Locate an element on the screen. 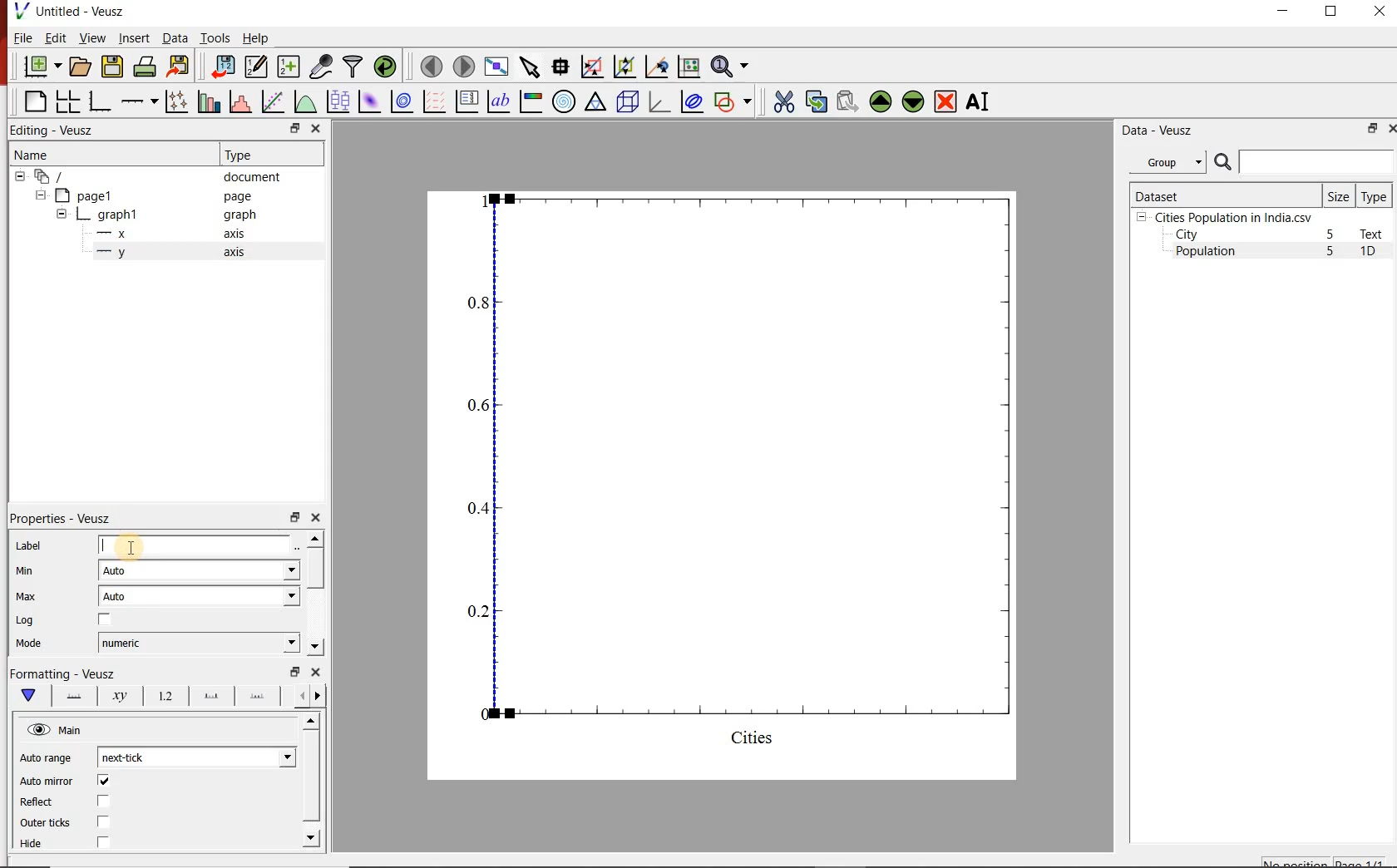  copy the selected widget is located at coordinates (815, 100).